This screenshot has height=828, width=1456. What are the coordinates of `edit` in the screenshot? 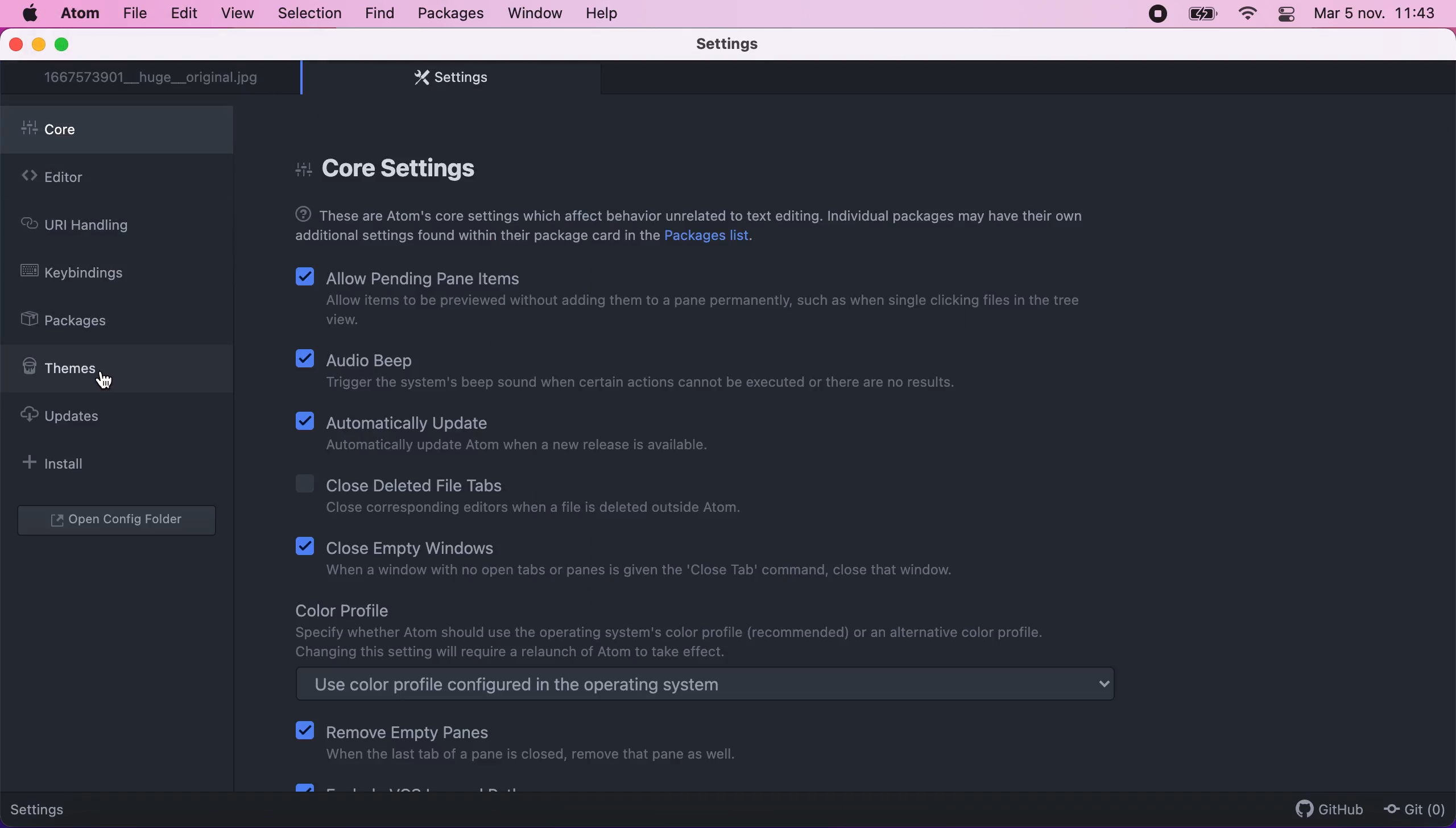 It's located at (184, 13).